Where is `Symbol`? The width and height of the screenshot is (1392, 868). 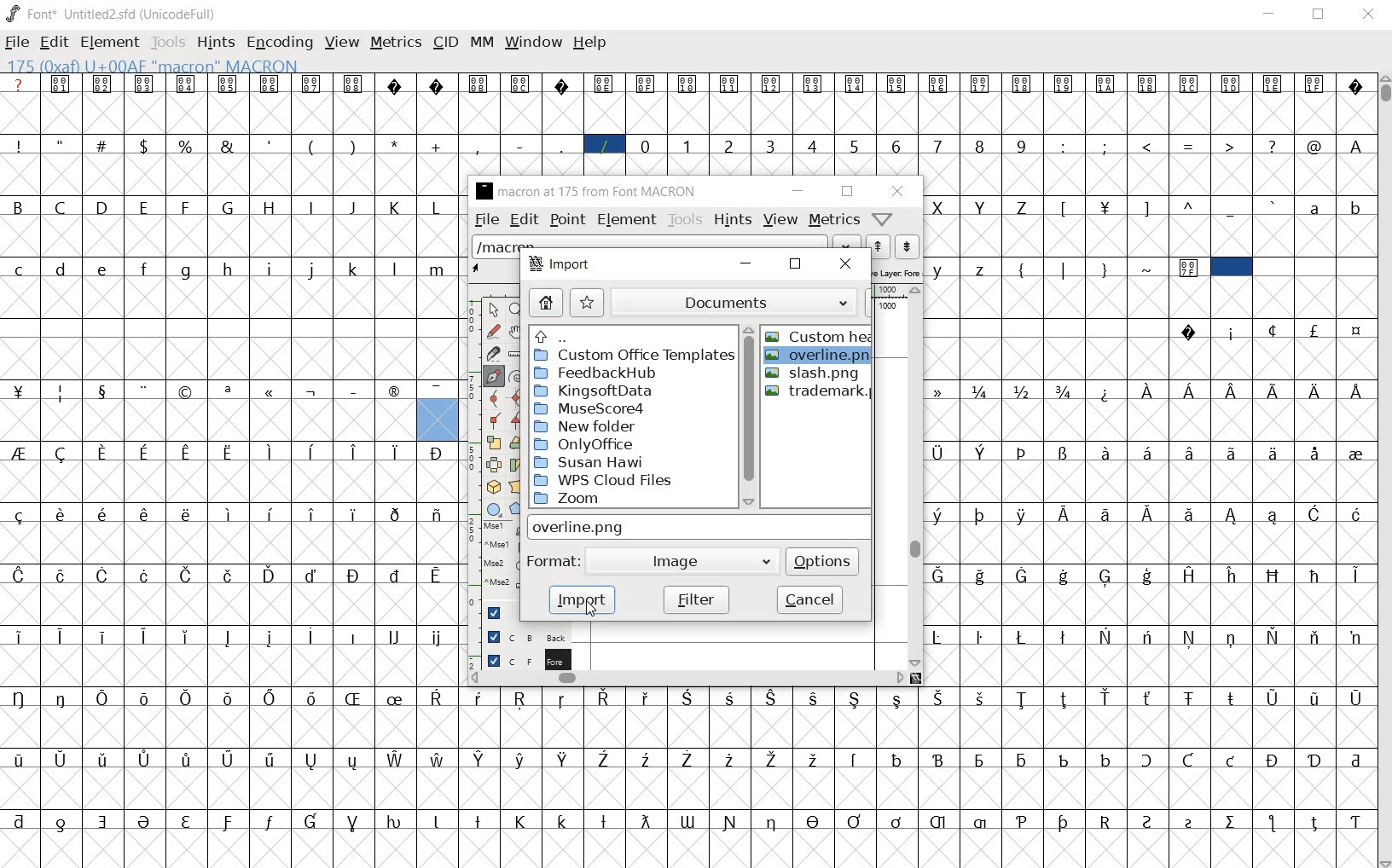
Symbol is located at coordinates (105, 391).